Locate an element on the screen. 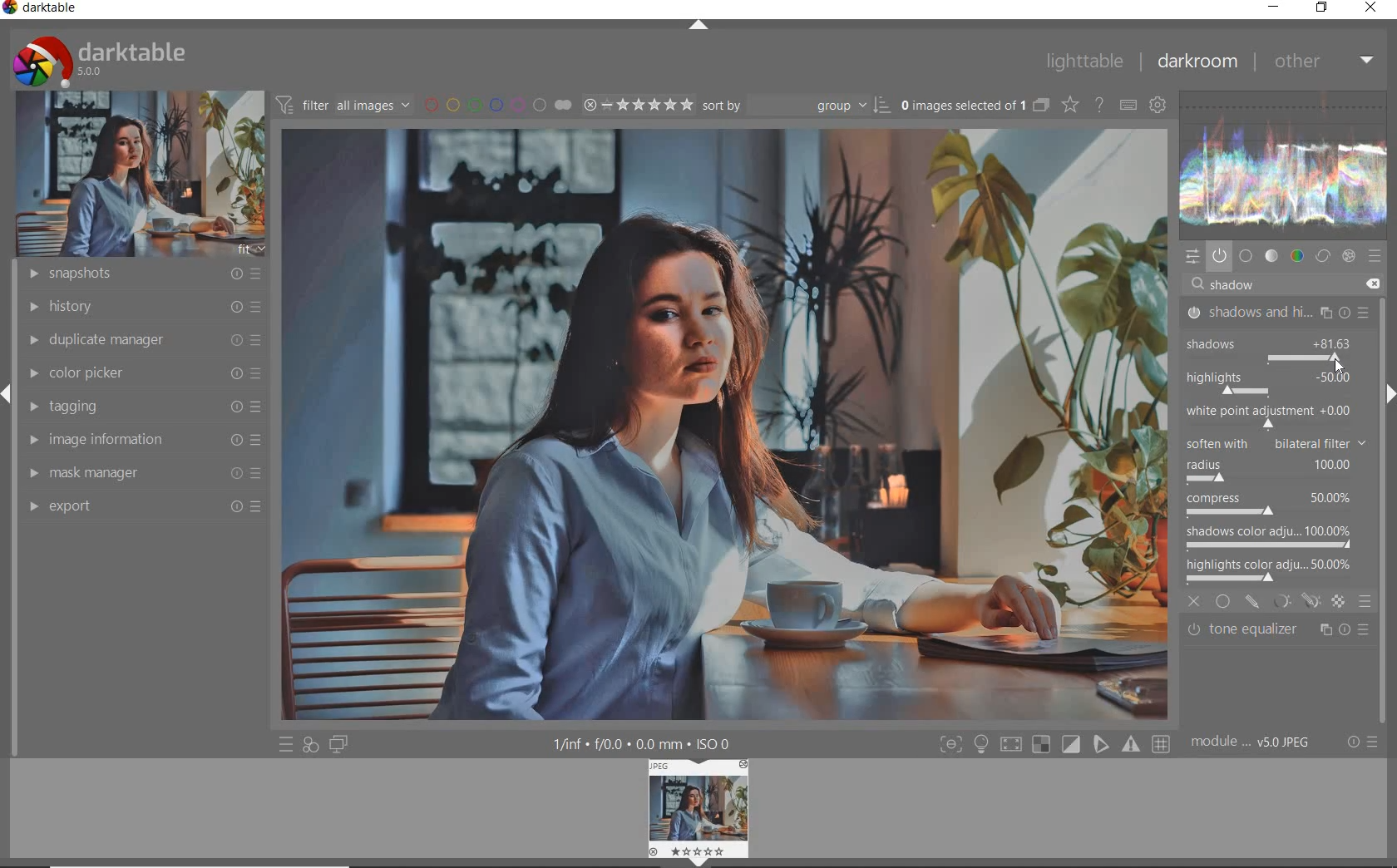 The image size is (1397, 868). show increased to 81.63 is located at coordinates (1335, 345).